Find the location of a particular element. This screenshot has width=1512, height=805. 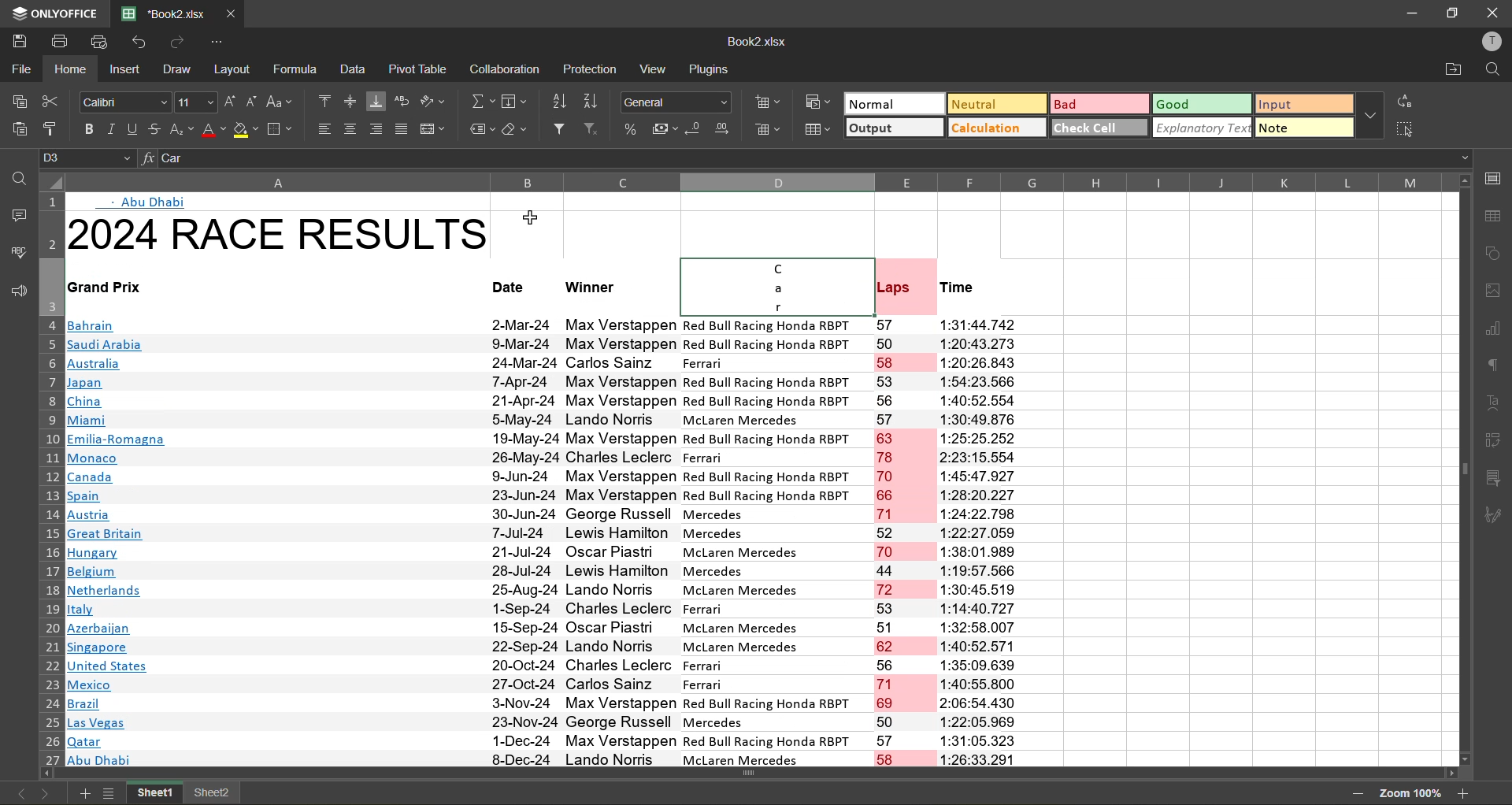

normal is located at coordinates (895, 102).